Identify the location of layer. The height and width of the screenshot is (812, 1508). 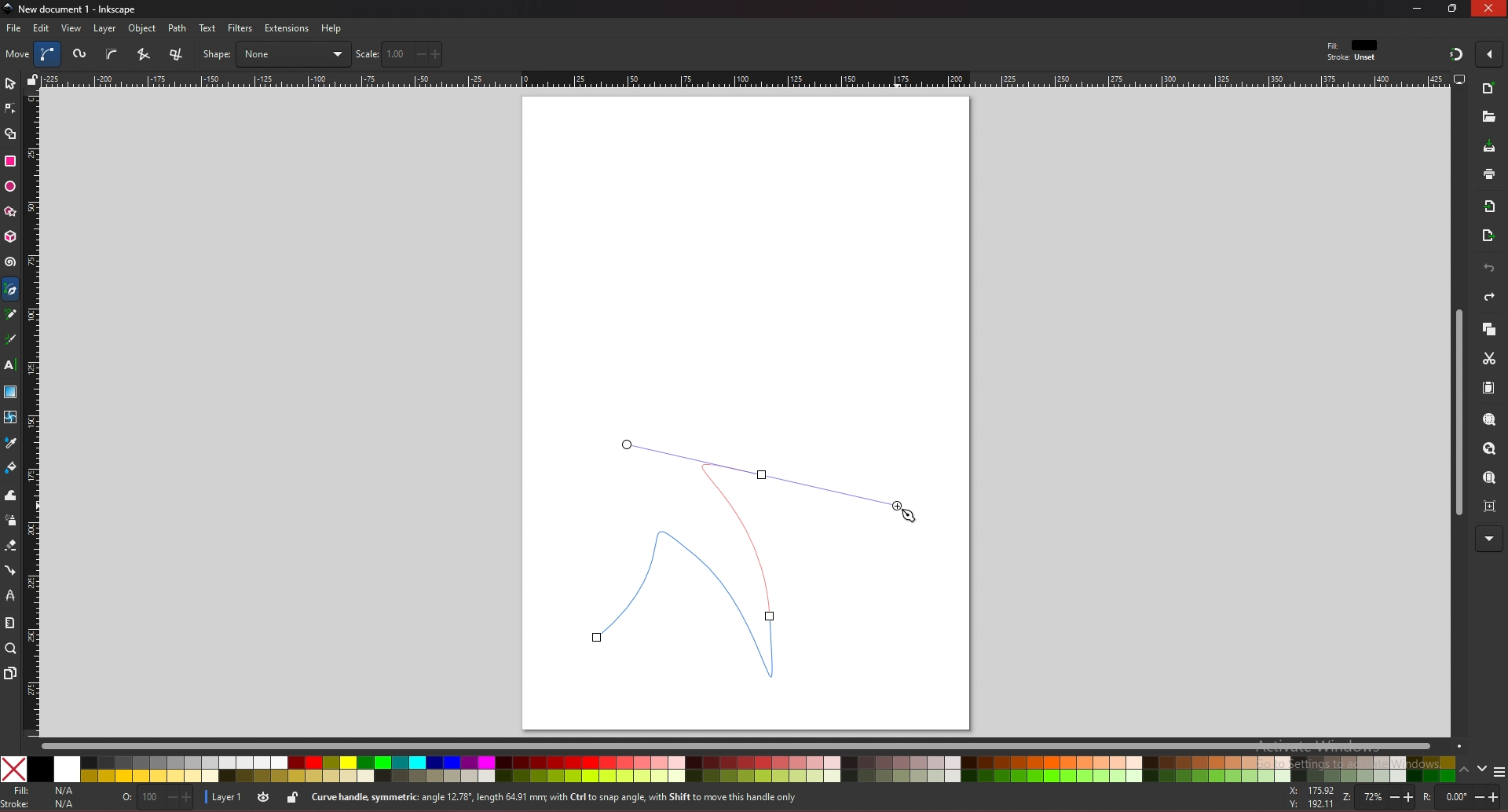
(222, 798).